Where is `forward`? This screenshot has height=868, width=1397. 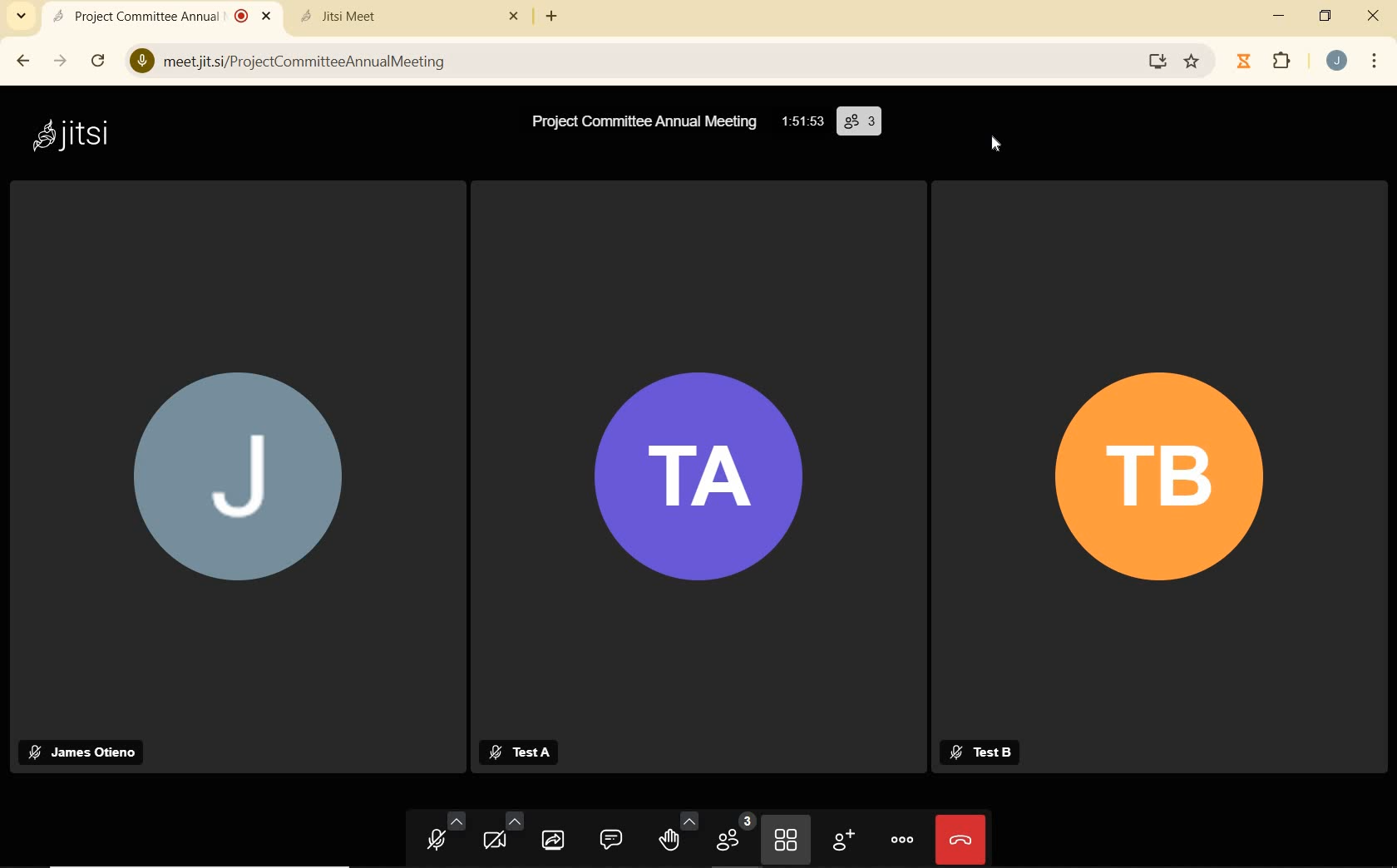
forward is located at coordinates (62, 60).